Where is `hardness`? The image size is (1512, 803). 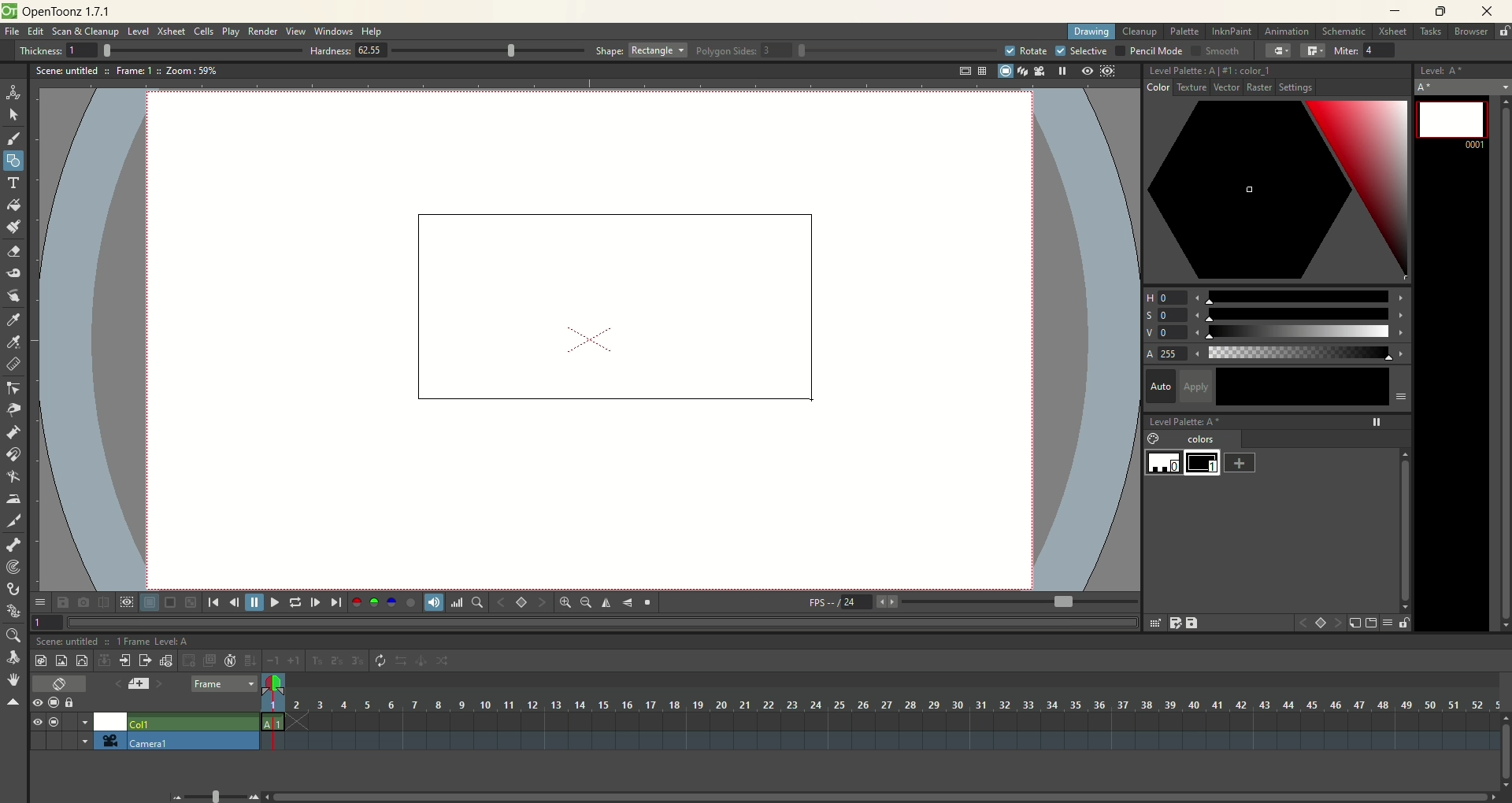
hardness is located at coordinates (447, 52).